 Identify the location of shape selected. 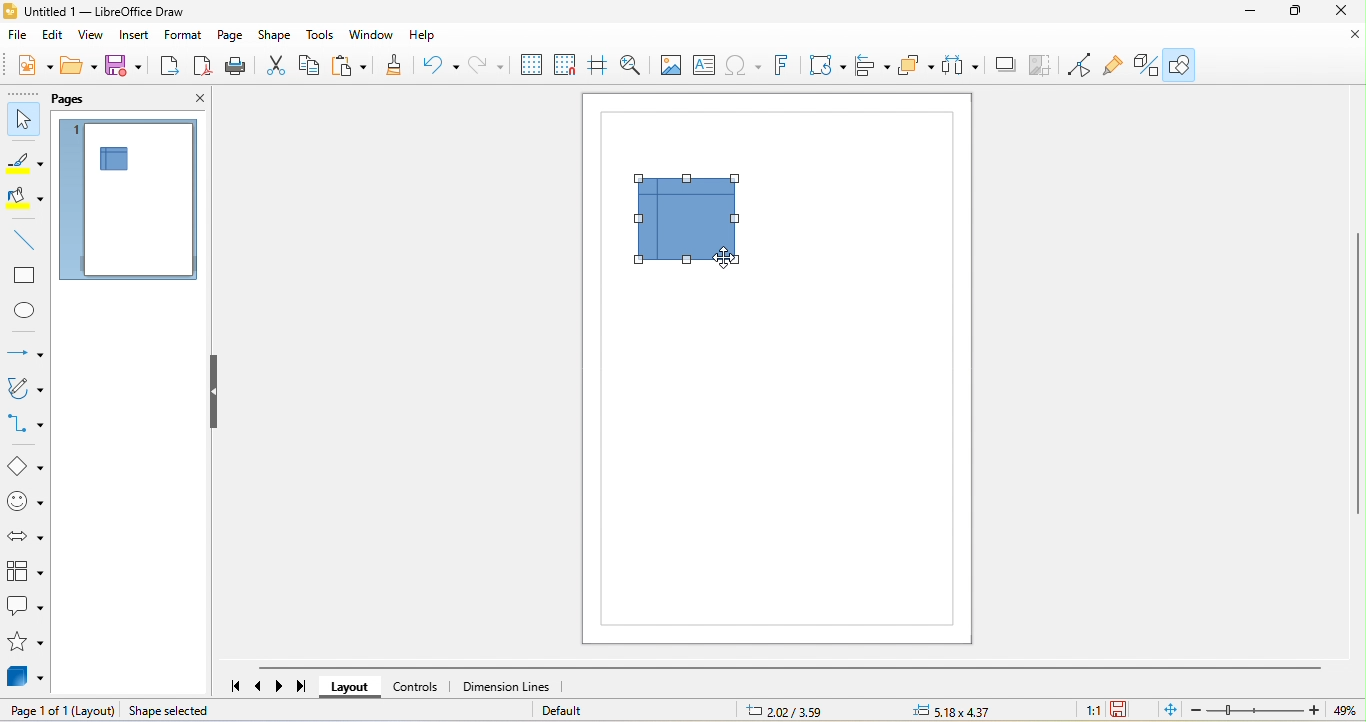
(205, 712).